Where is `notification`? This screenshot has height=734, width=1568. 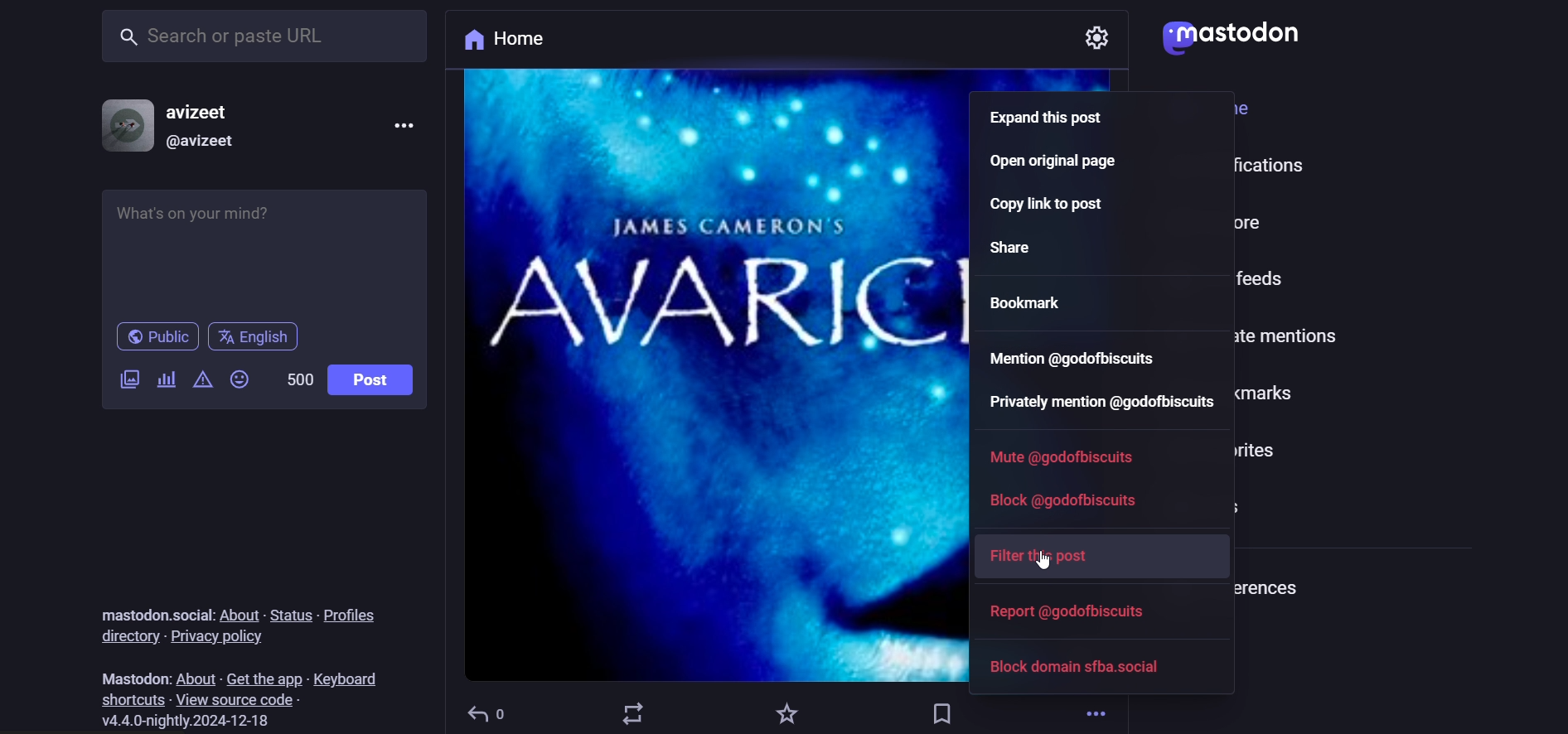
notification is located at coordinates (1225, 163).